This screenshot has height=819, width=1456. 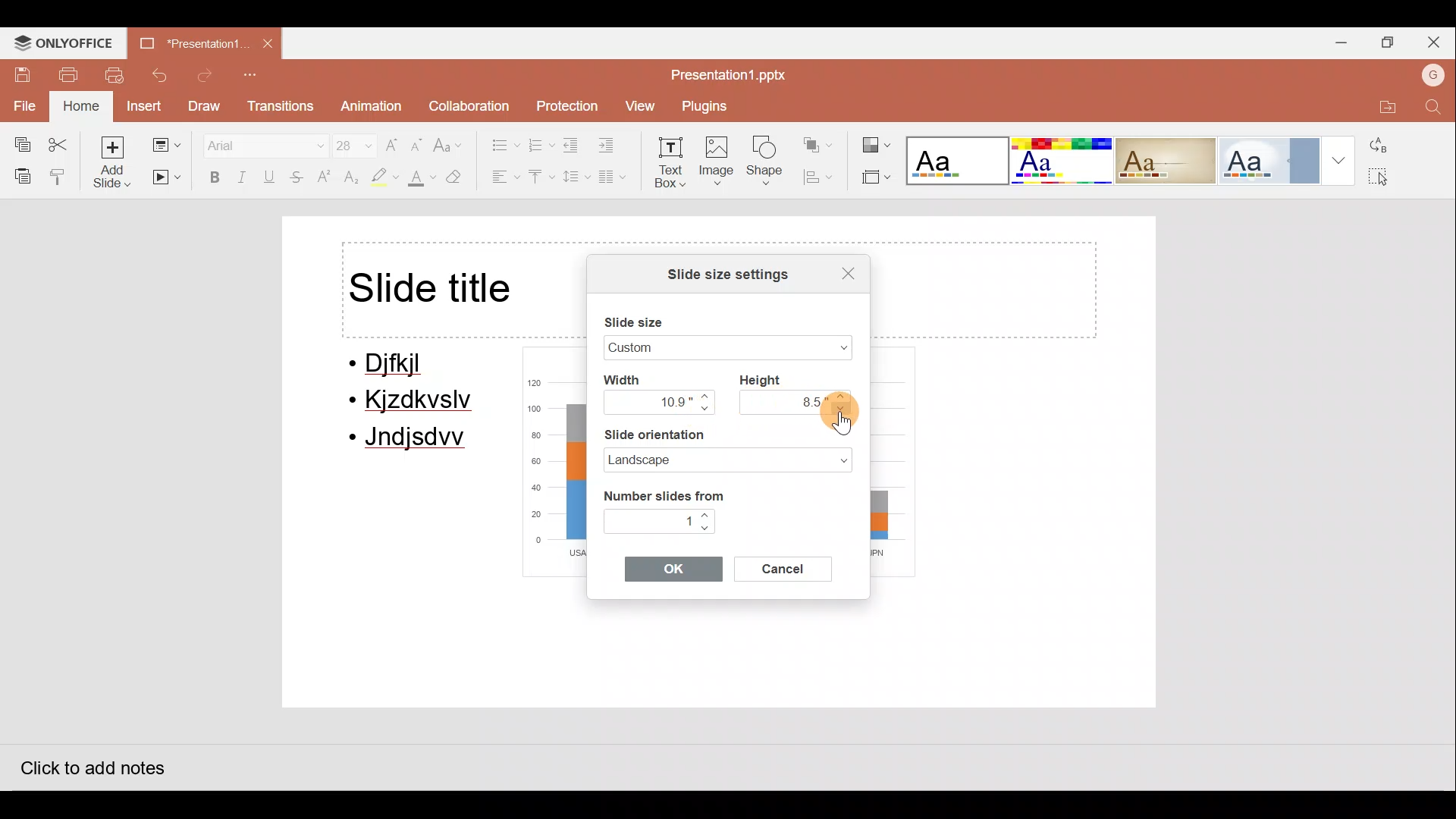 I want to click on Highlight color, so click(x=381, y=178).